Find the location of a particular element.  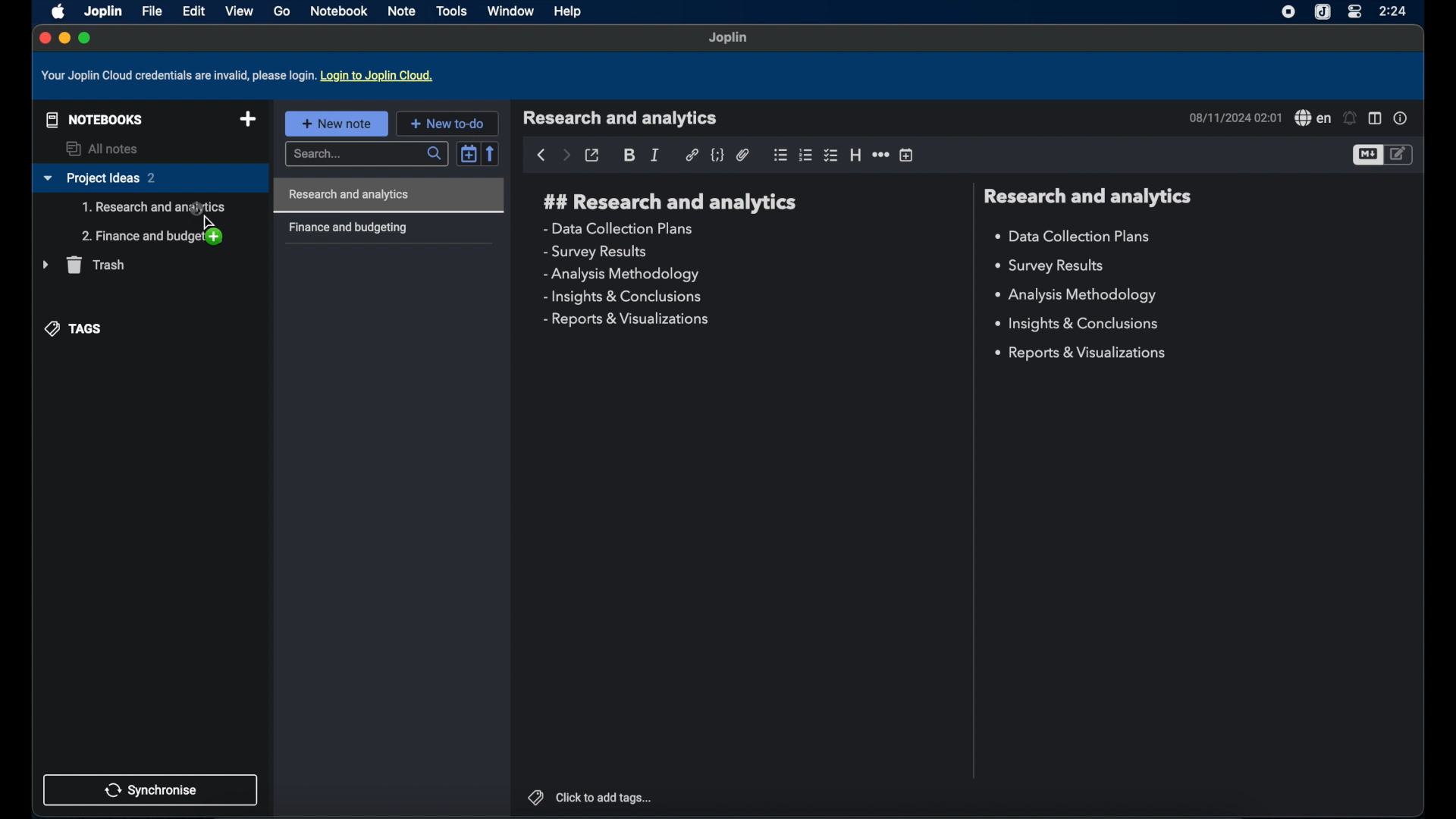

toggle editor is located at coordinates (1367, 155).